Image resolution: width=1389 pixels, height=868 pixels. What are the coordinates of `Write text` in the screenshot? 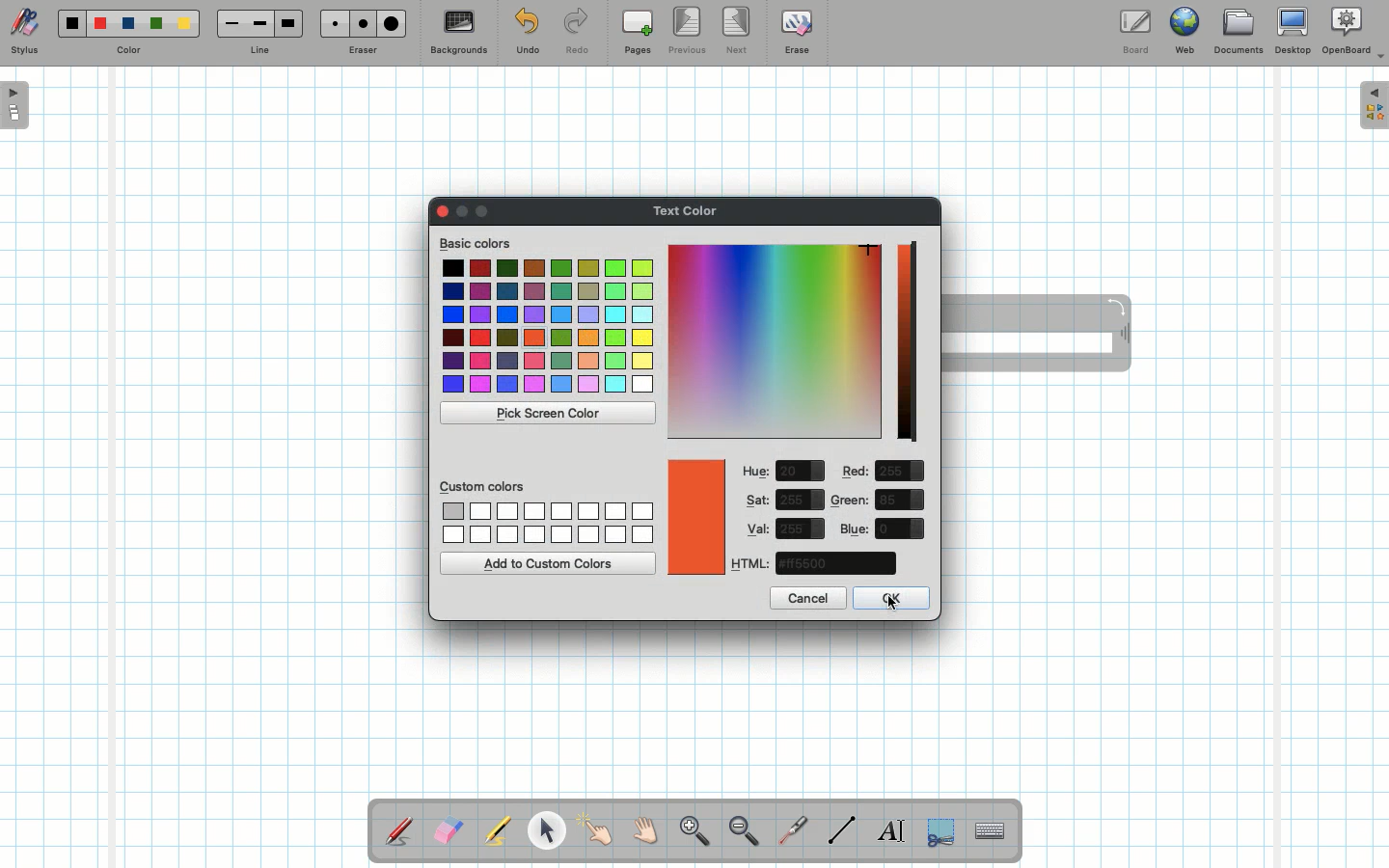 It's located at (893, 827).